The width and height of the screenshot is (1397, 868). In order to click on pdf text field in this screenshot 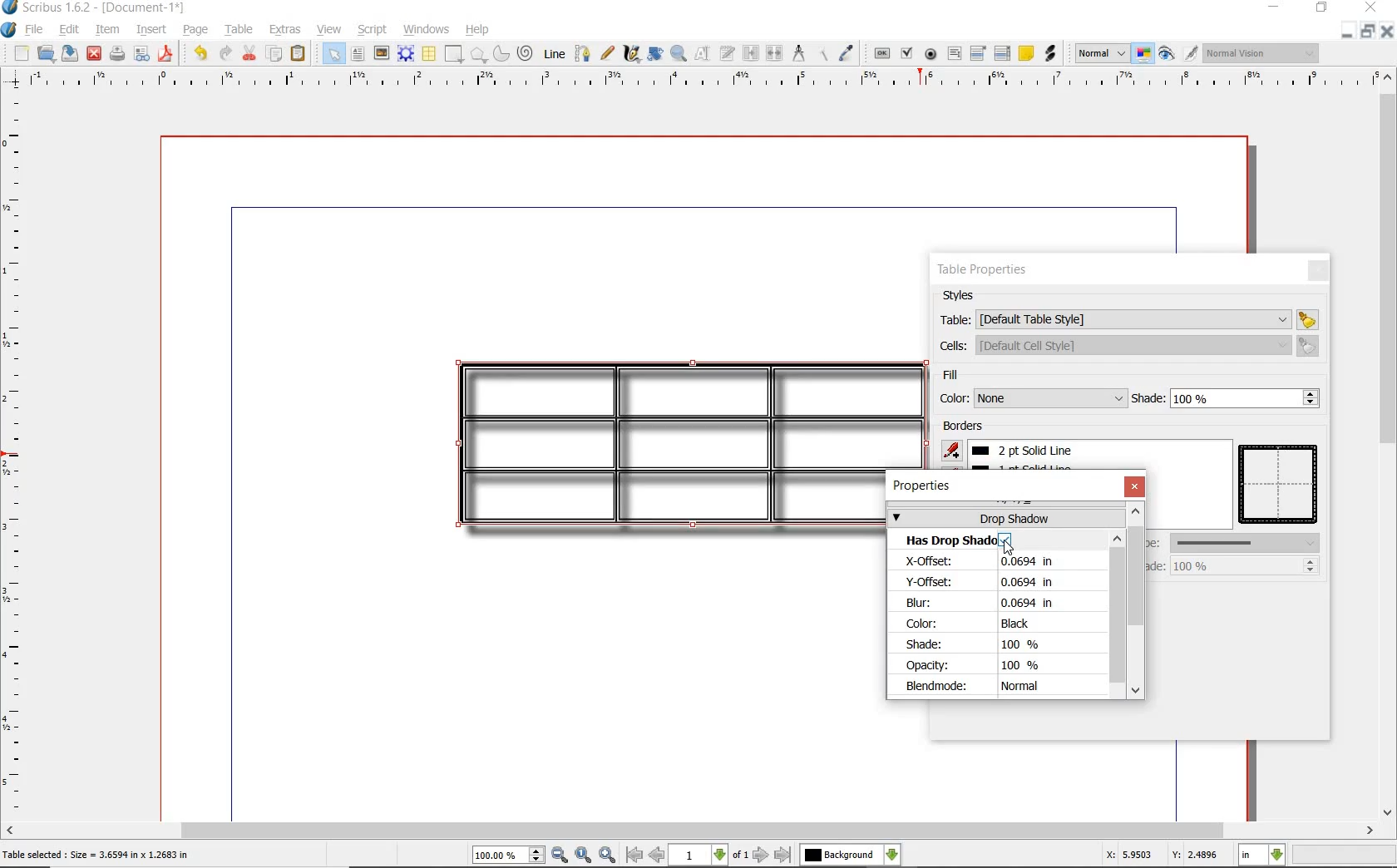, I will do `click(954, 54)`.